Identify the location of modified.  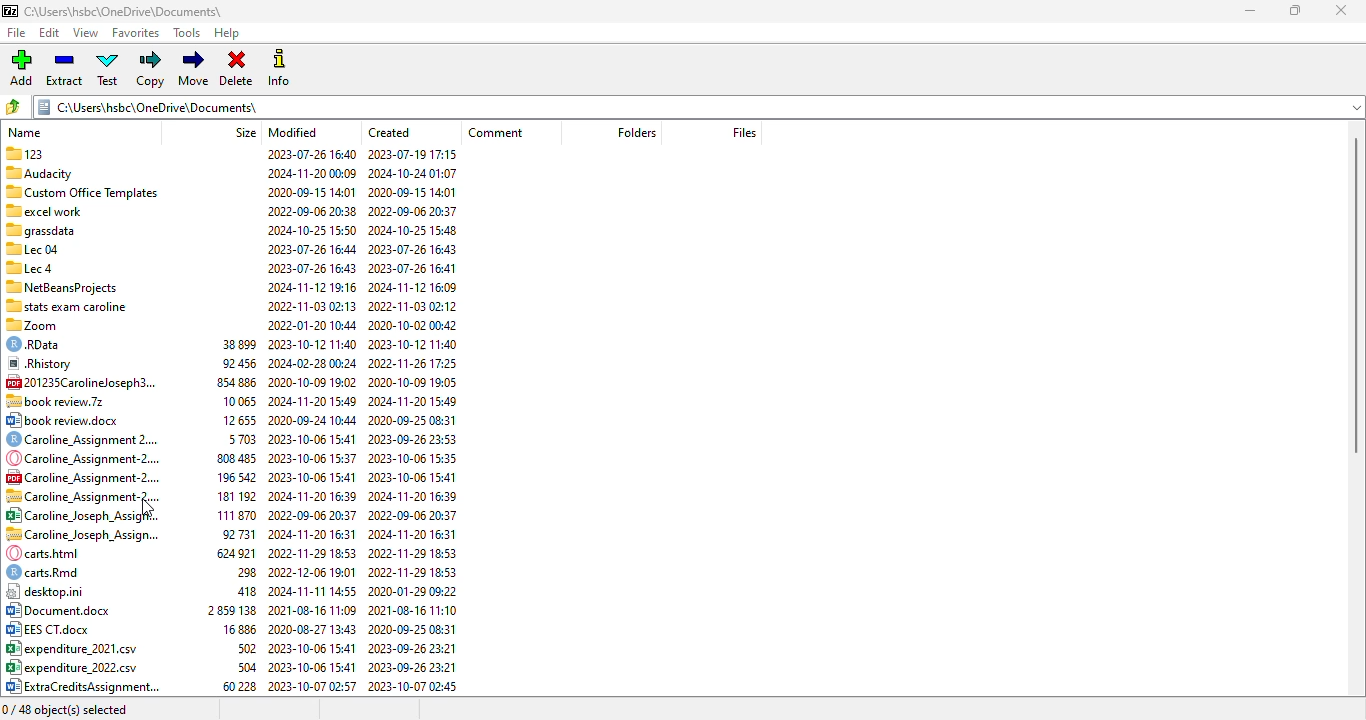
(292, 132).